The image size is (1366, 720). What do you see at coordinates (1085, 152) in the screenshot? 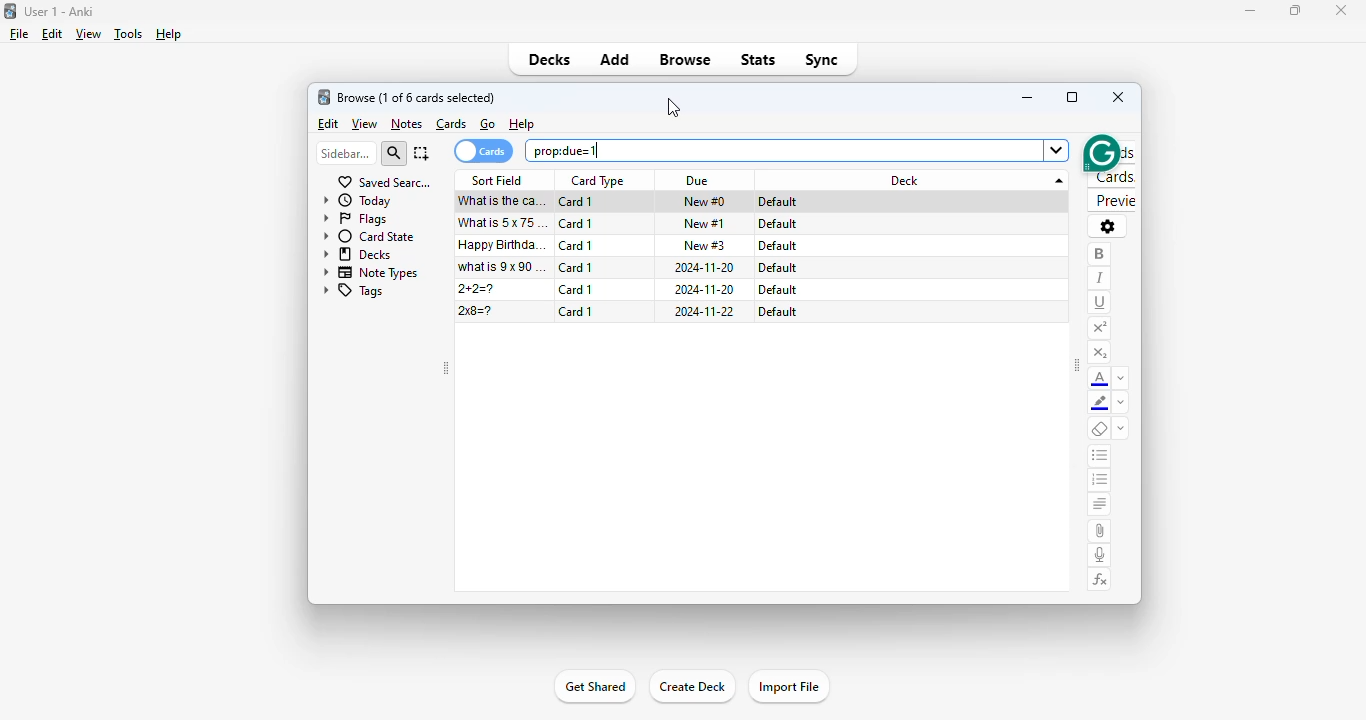
I see `grammarly extension` at bounding box center [1085, 152].